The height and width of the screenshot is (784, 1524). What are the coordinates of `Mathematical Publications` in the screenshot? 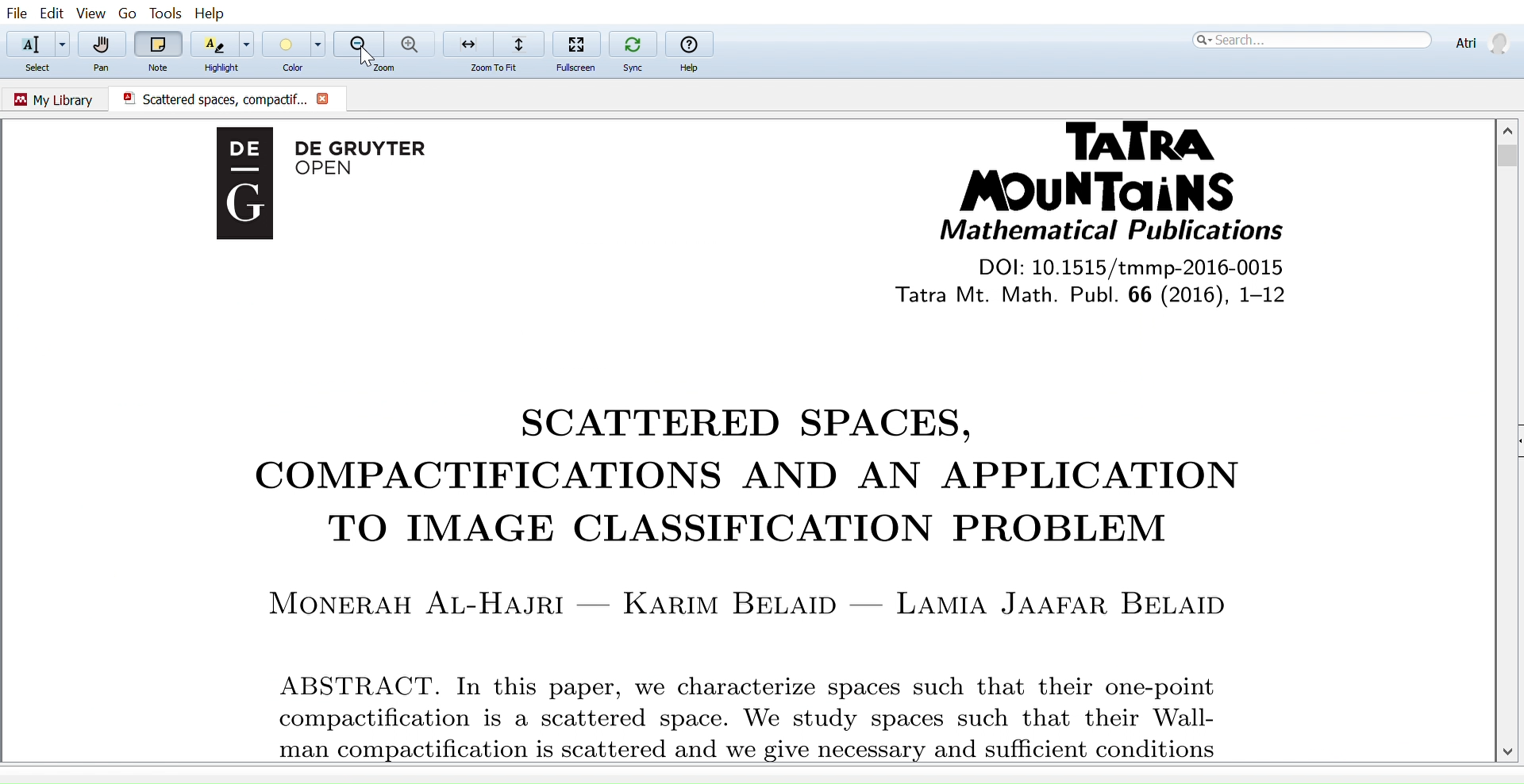 It's located at (1110, 230).